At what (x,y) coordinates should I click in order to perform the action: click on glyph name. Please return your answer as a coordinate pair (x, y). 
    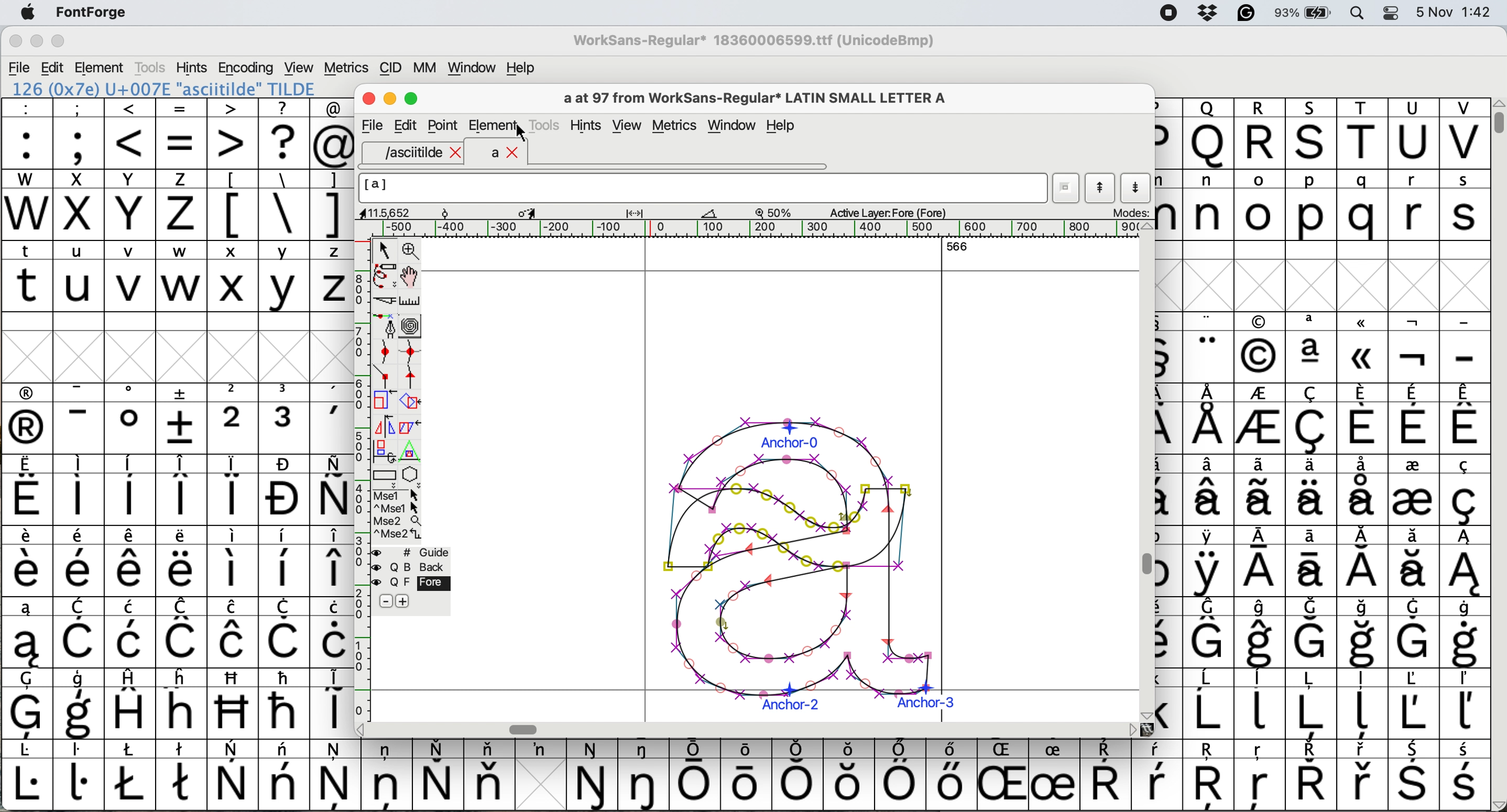
    Looking at the image, I should click on (701, 188).